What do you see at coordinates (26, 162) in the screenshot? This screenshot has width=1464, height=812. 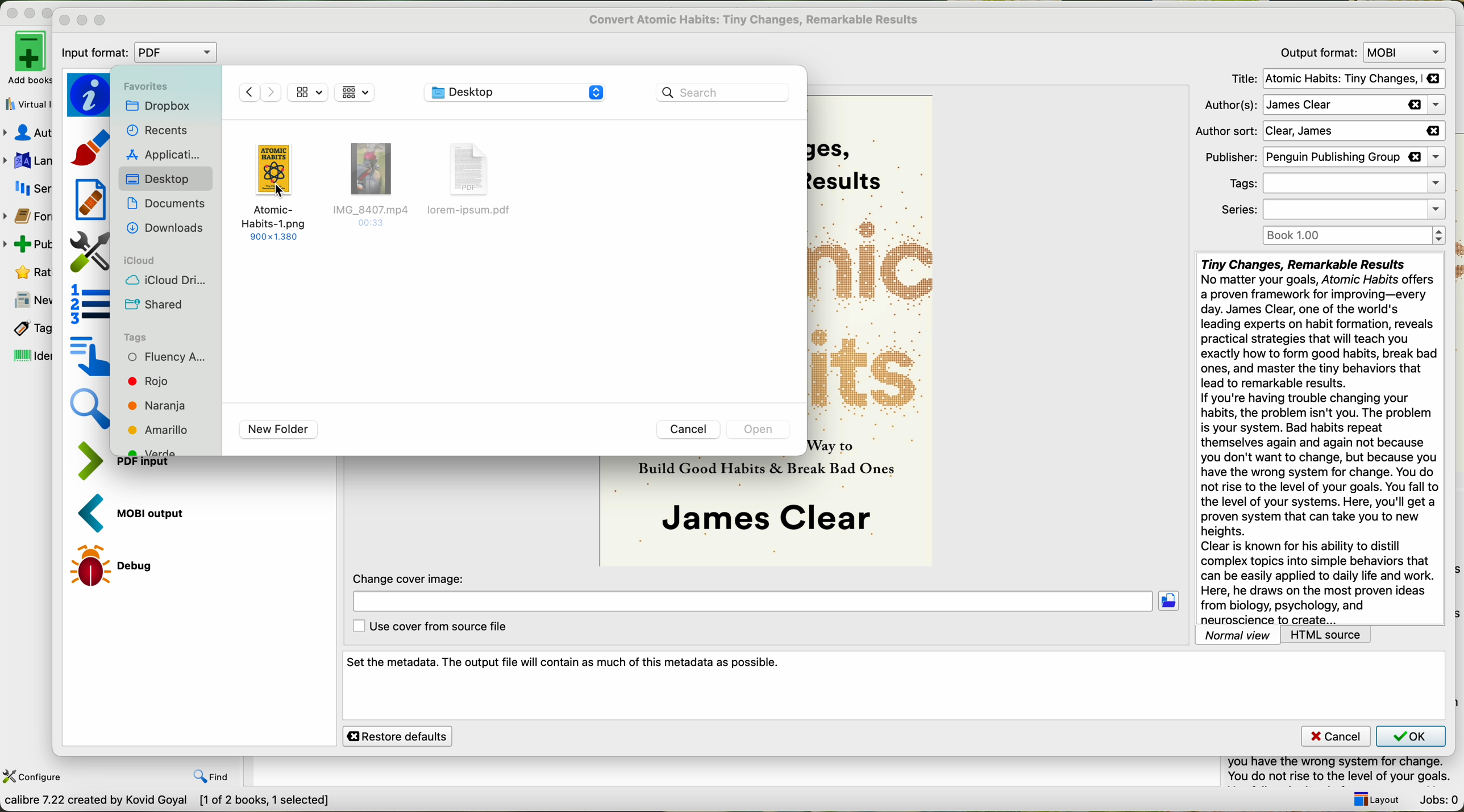 I see `languages` at bounding box center [26, 162].